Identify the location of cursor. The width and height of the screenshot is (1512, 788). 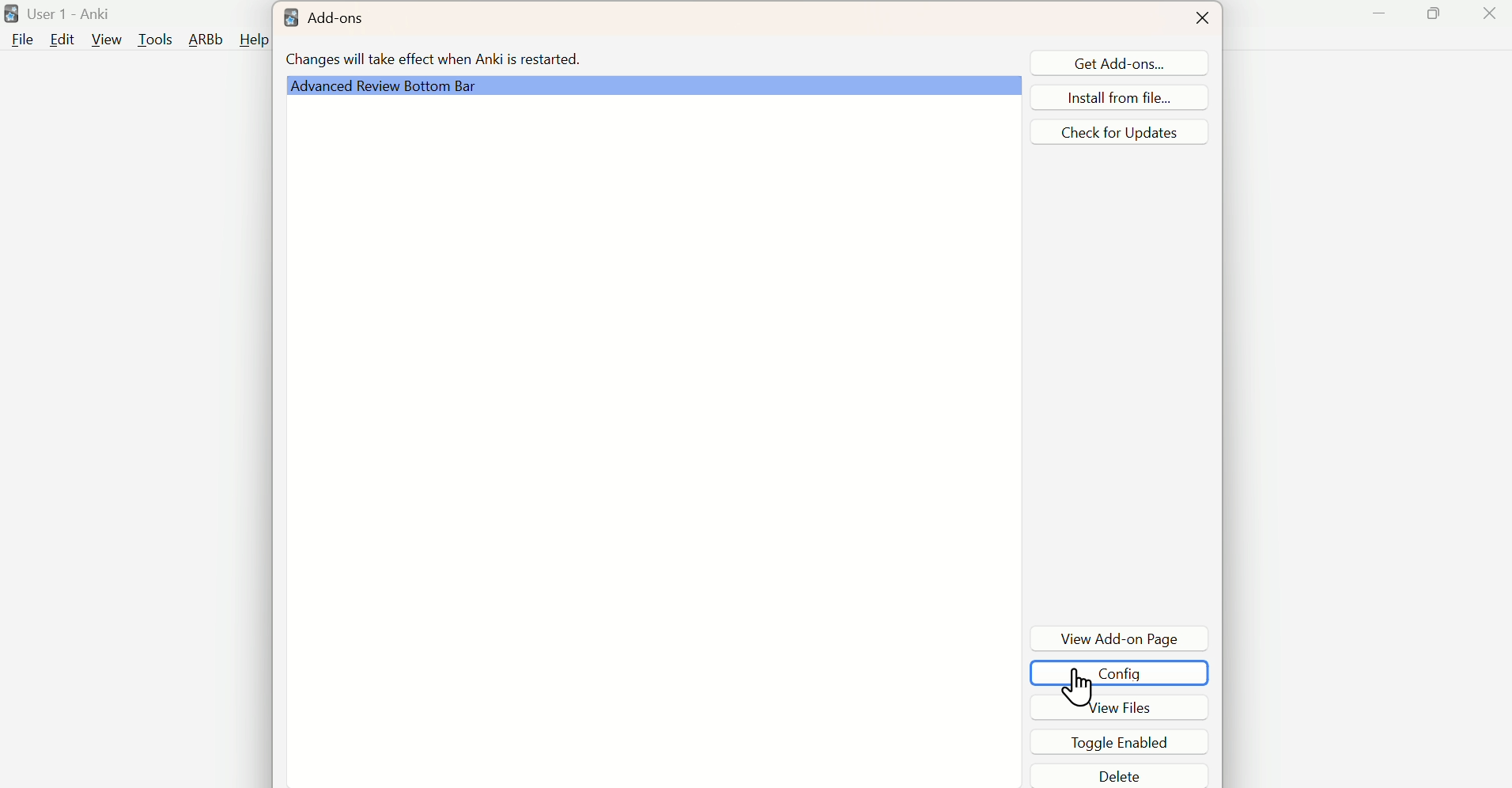
(1079, 685).